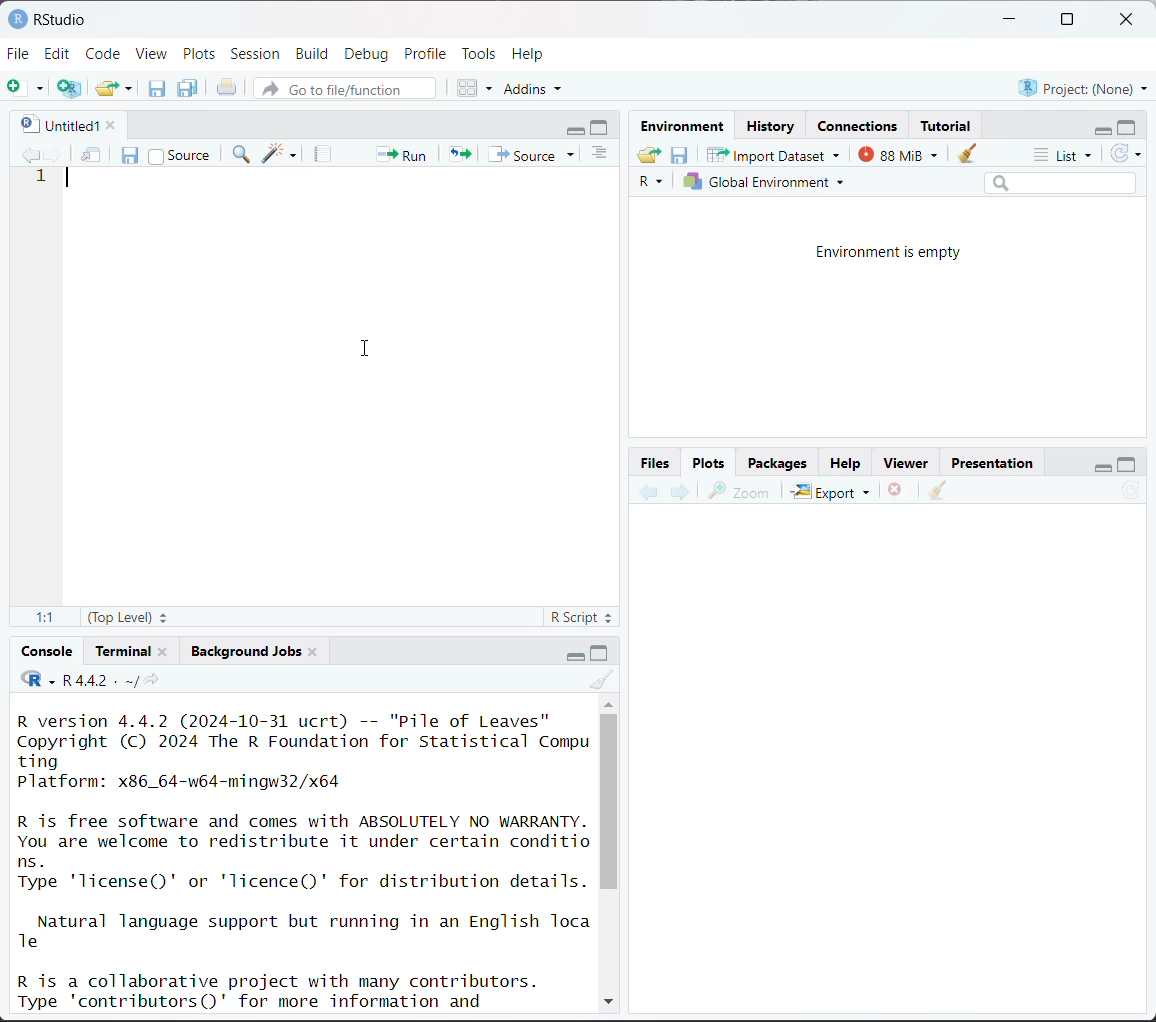 The width and height of the screenshot is (1156, 1022). Describe the element at coordinates (131, 153) in the screenshot. I see `save current document` at that location.